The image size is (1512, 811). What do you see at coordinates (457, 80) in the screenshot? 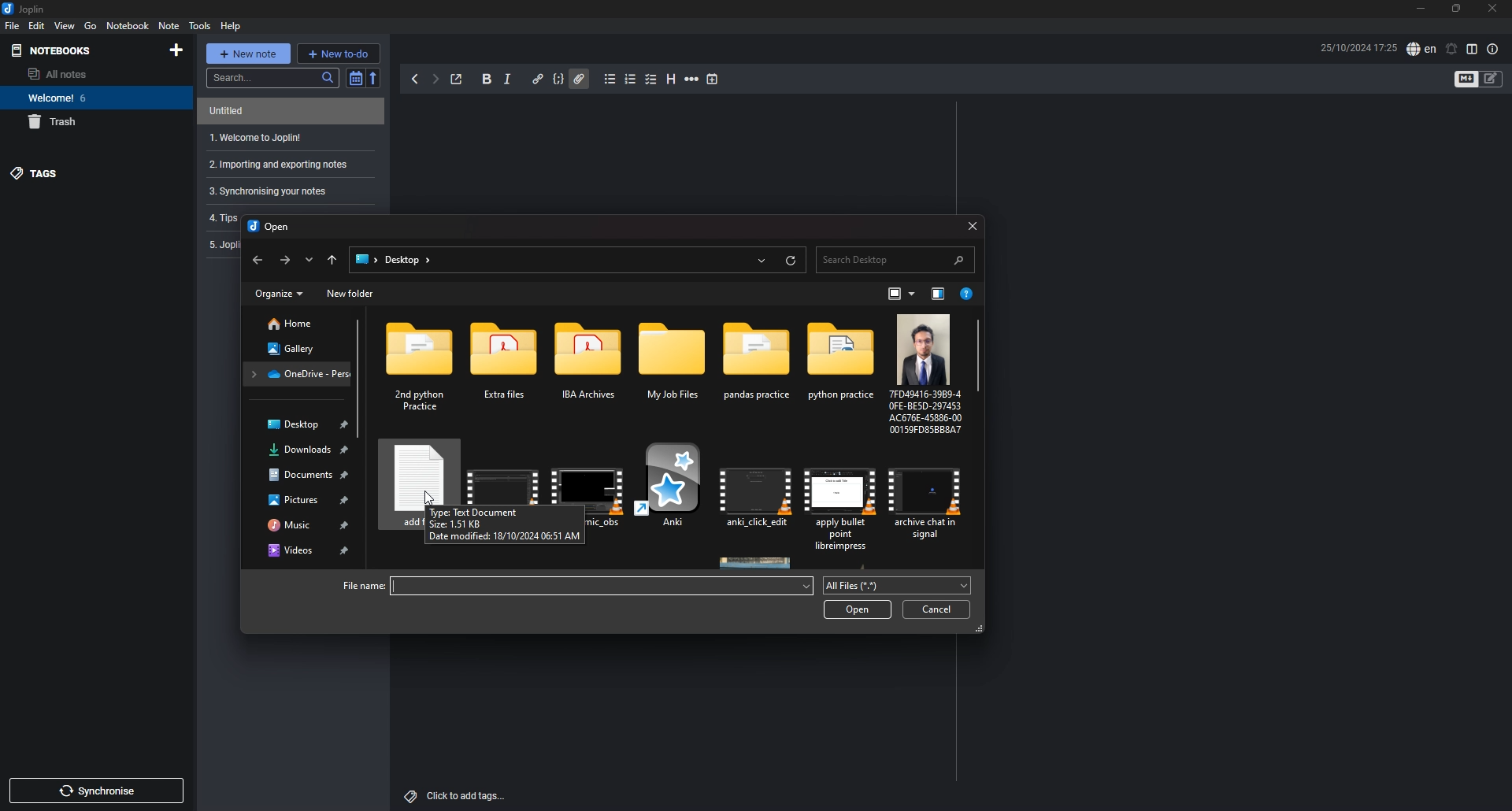
I see `toggle external editing` at bounding box center [457, 80].